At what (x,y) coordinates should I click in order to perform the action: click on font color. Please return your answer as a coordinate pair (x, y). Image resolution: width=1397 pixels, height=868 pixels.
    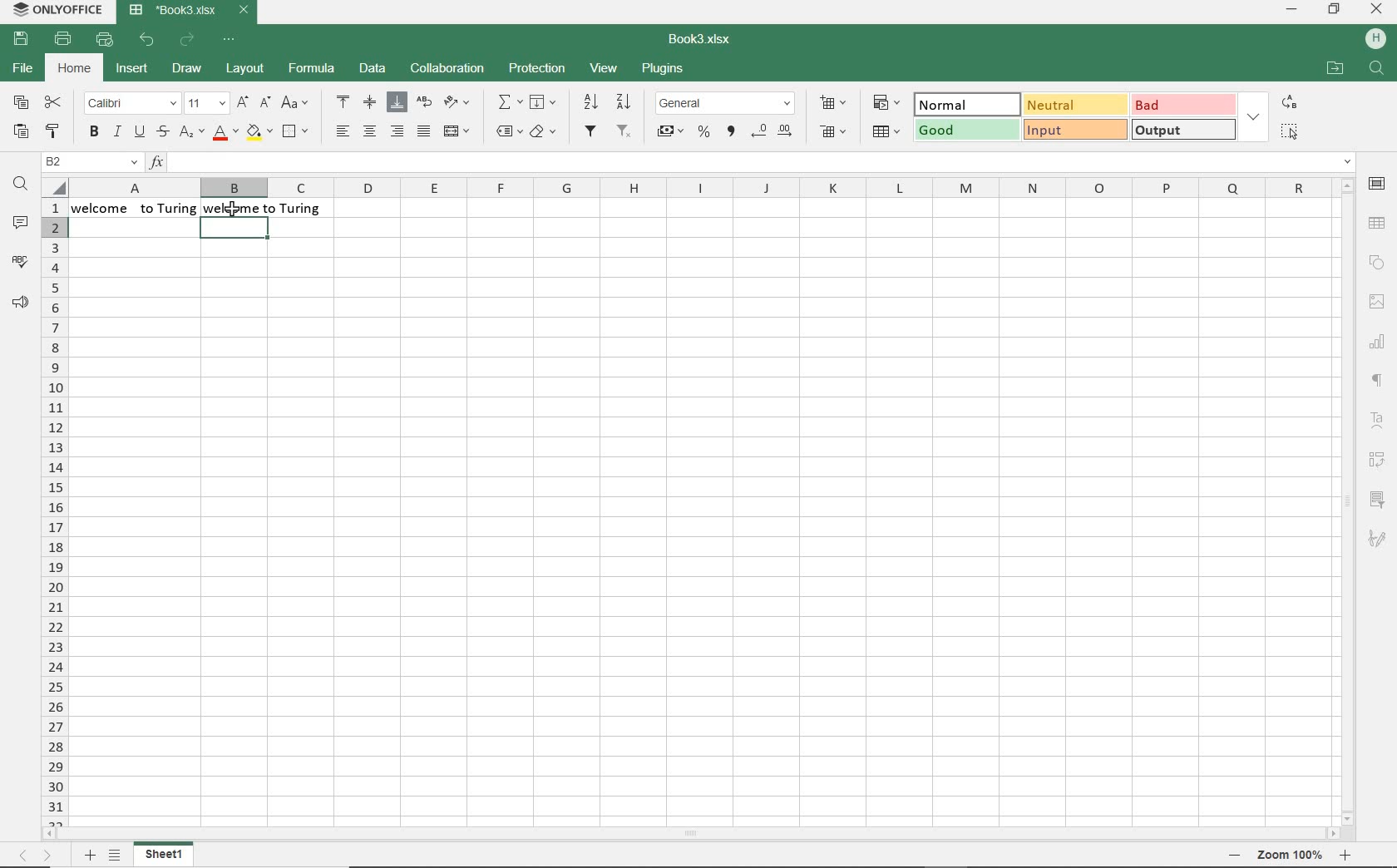
    Looking at the image, I should click on (225, 132).